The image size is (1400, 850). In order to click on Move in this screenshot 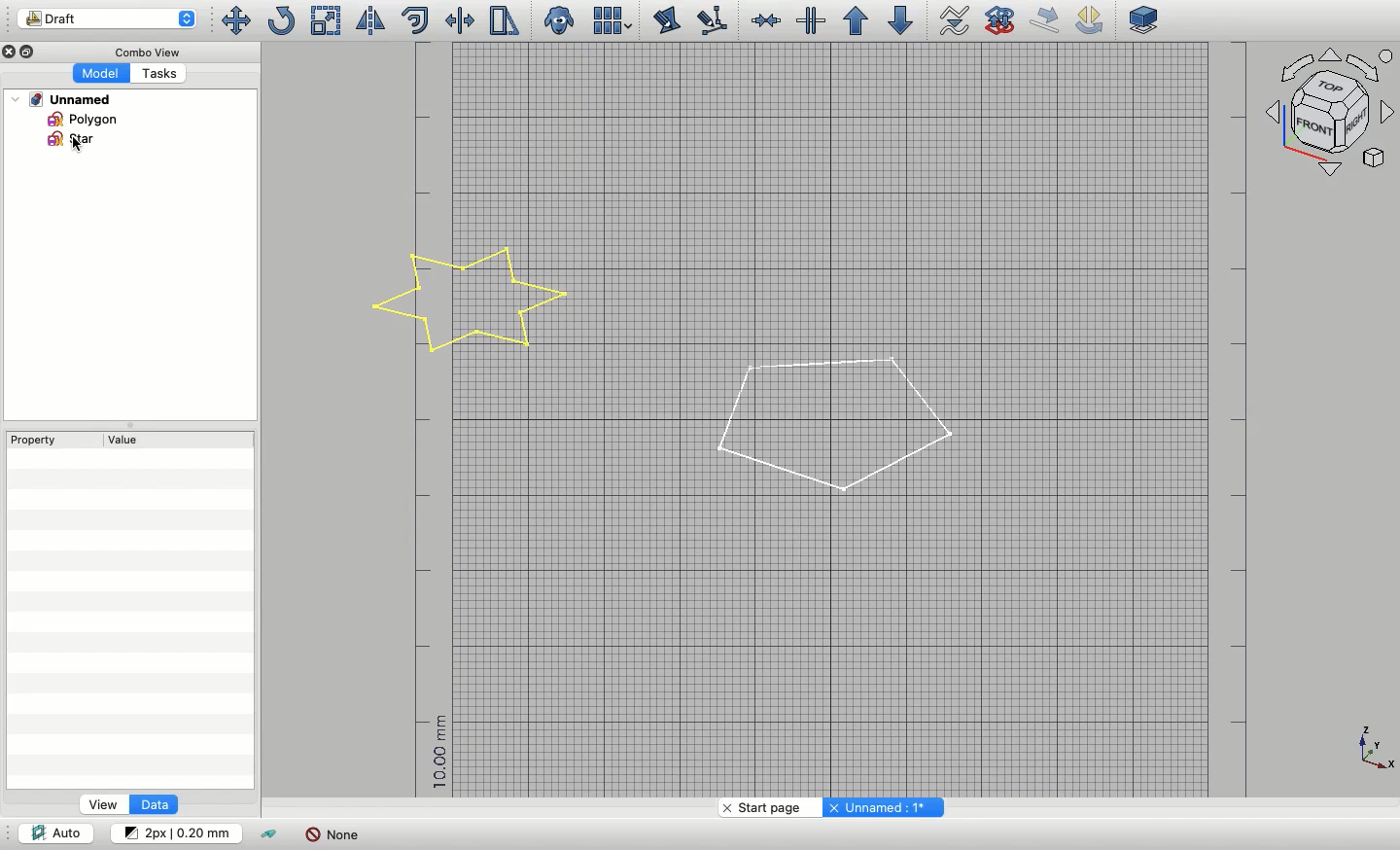, I will do `click(234, 20)`.